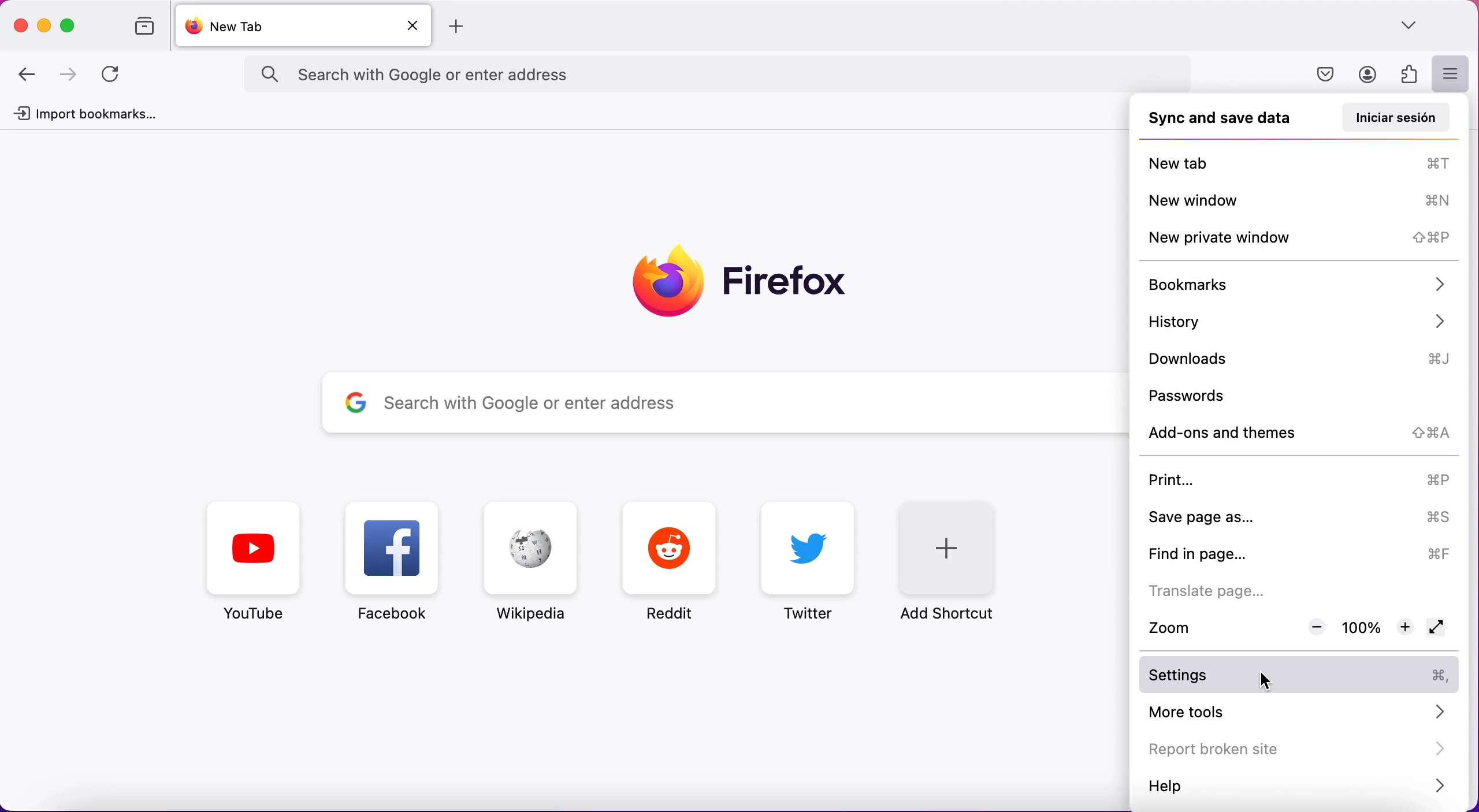 The image size is (1479, 812). I want to click on sync and save data, so click(1220, 120).